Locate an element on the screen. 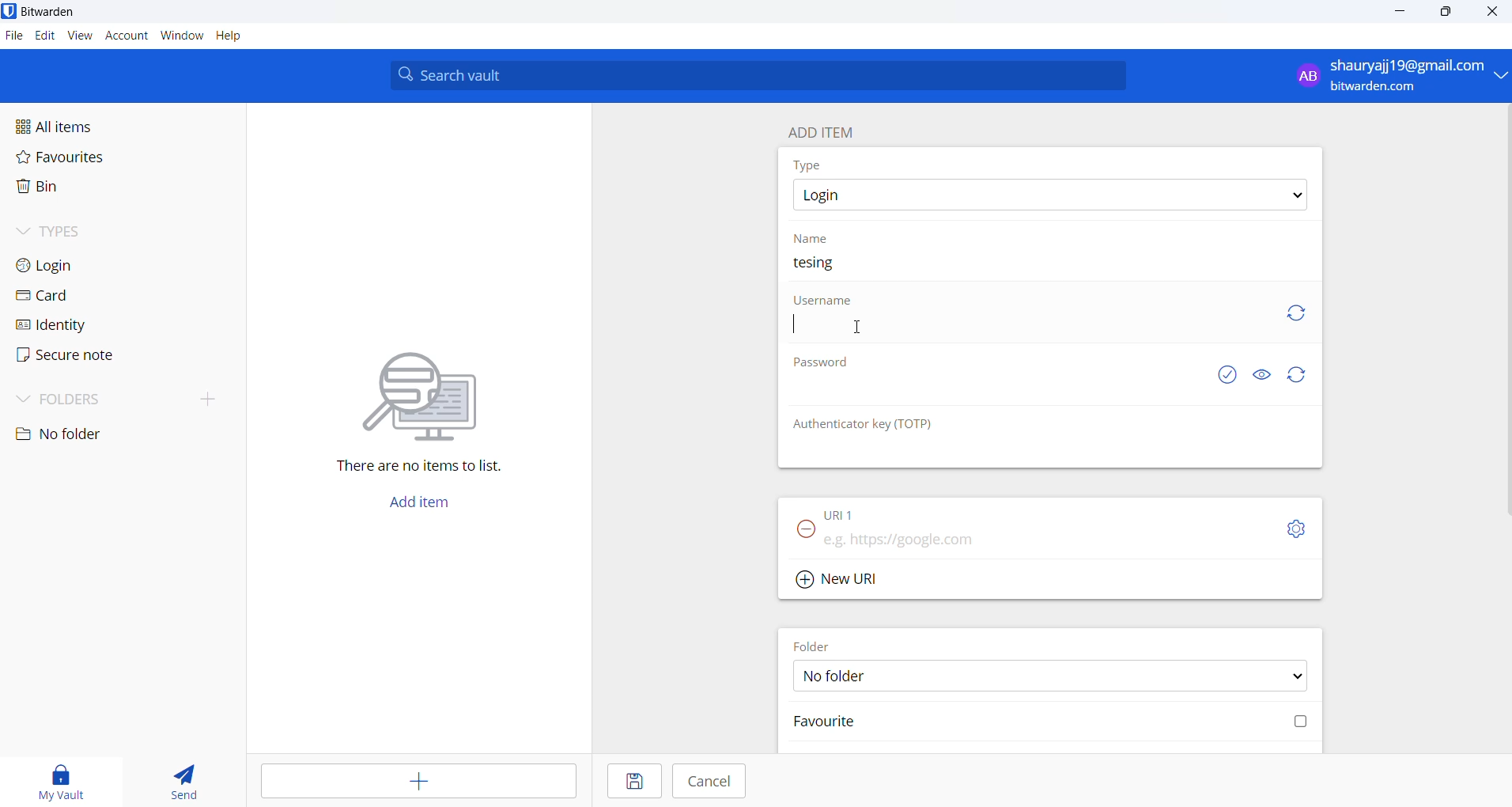 The height and width of the screenshot is (807, 1512). login is located at coordinates (93, 268).